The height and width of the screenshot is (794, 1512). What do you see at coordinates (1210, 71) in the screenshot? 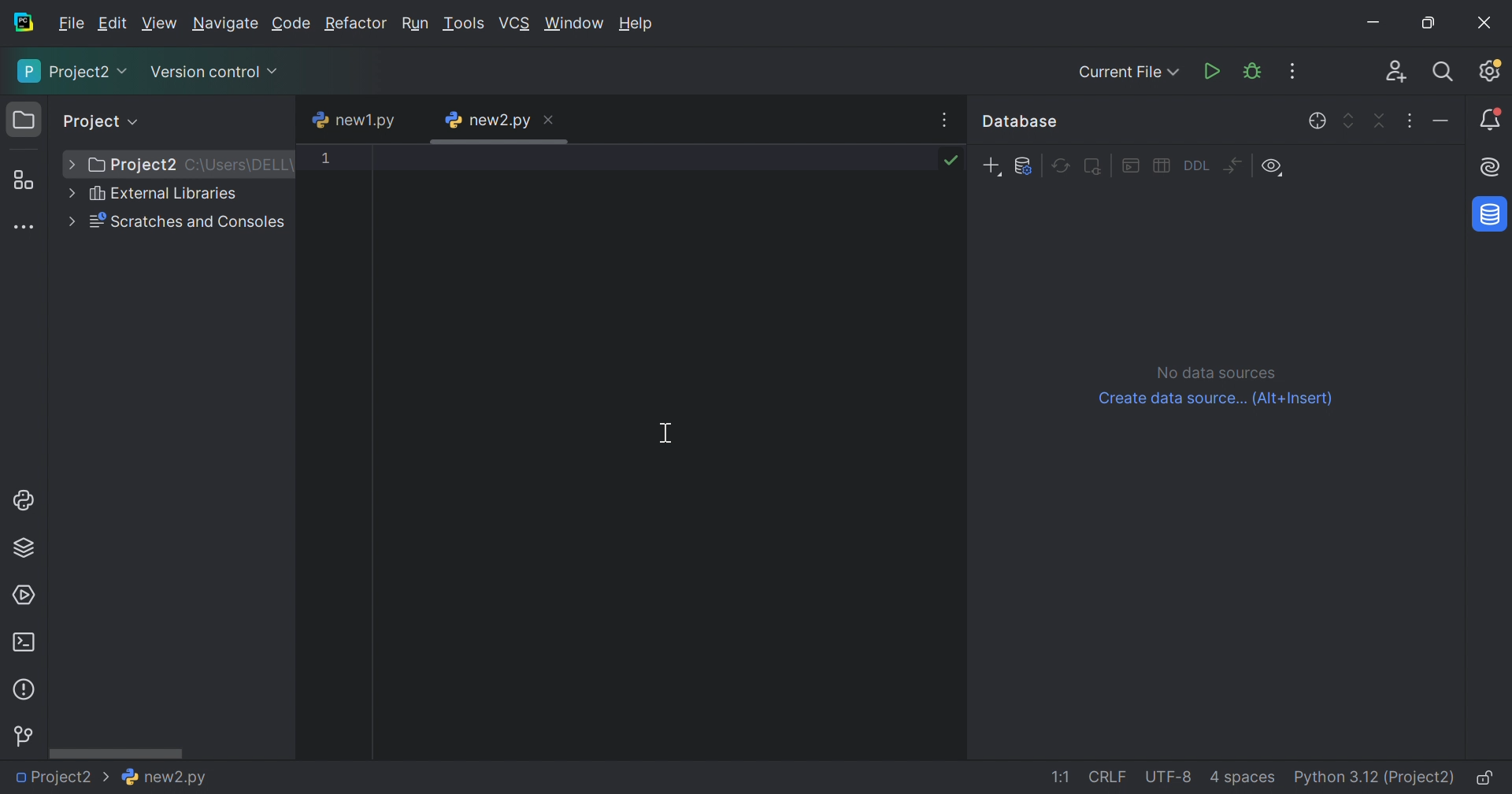
I see `Run` at bounding box center [1210, 71].